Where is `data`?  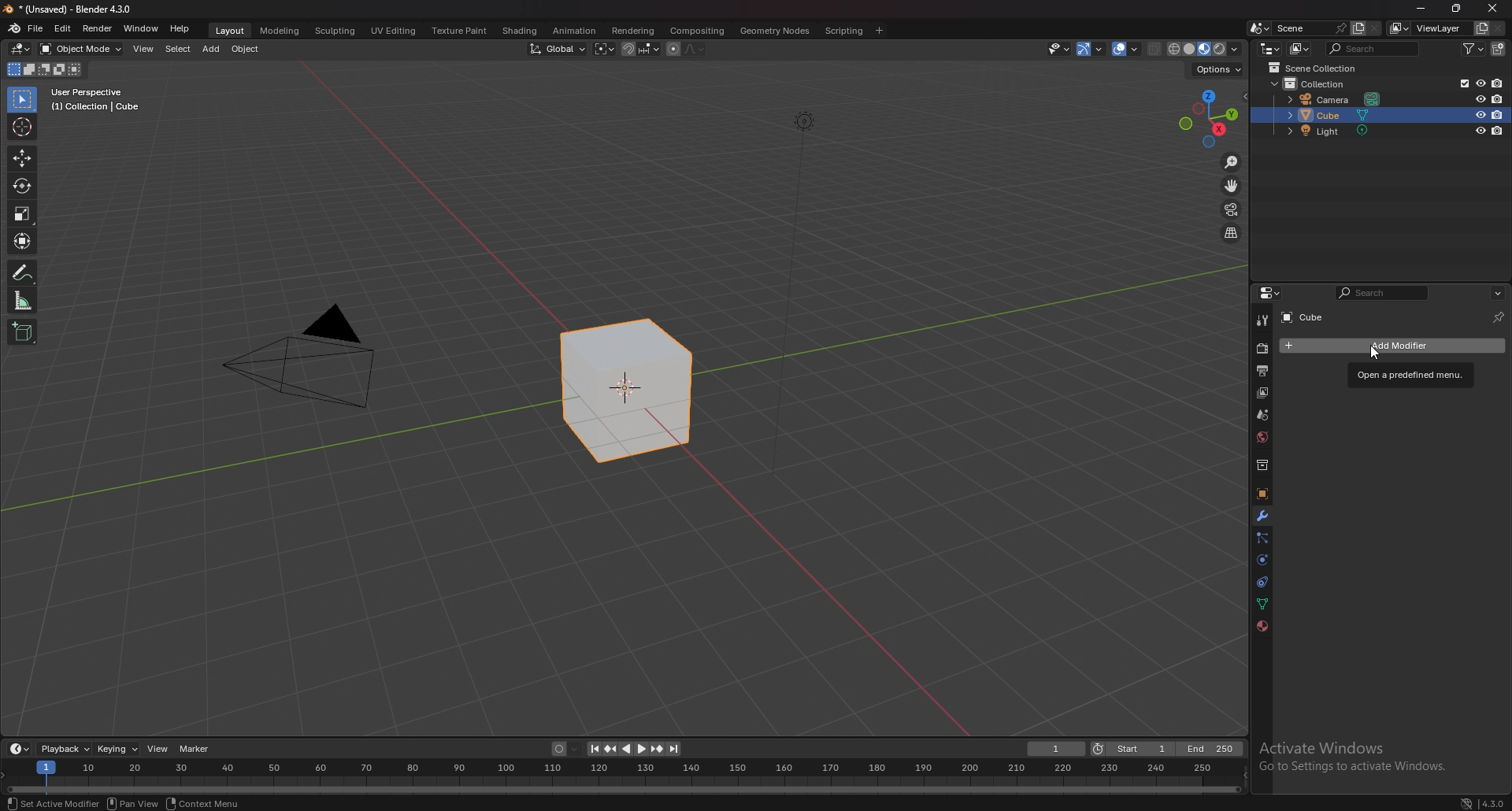 data is located at coordinates (1261, 604).